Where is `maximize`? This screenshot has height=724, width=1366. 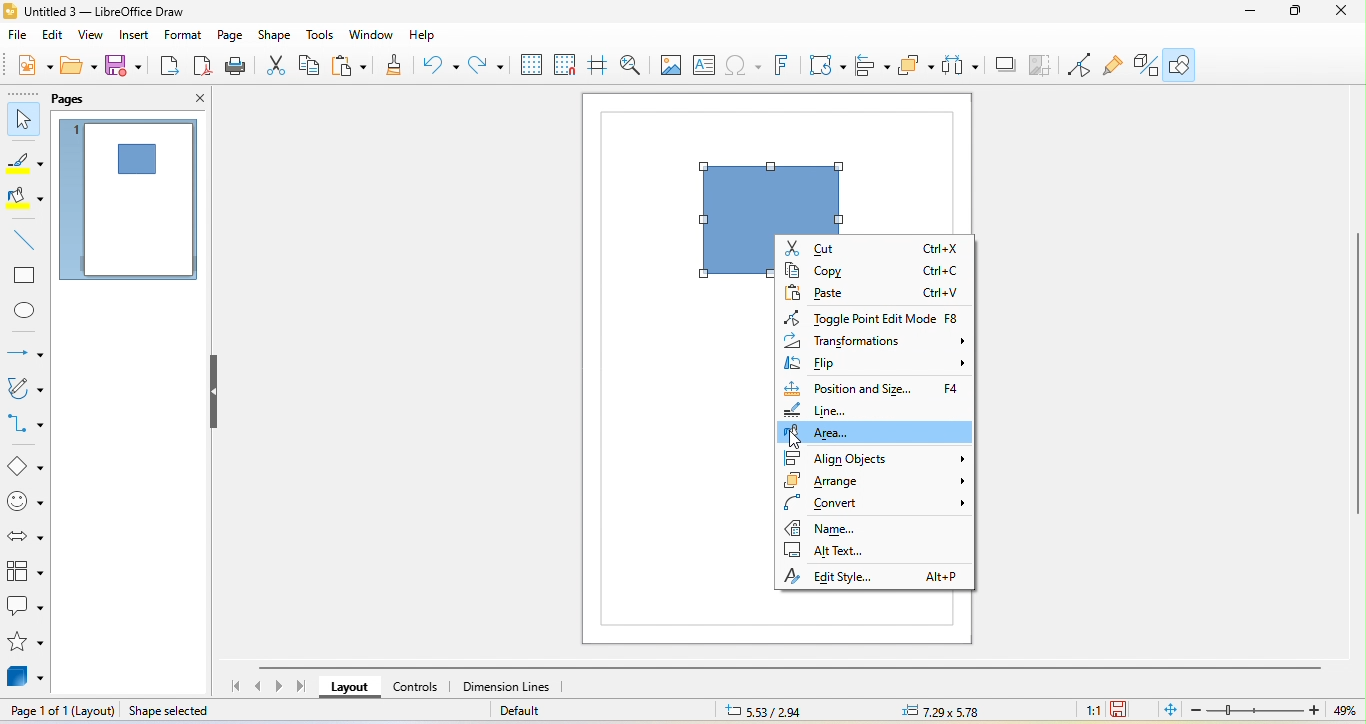
maximize is located at coordinates (1296, 13).